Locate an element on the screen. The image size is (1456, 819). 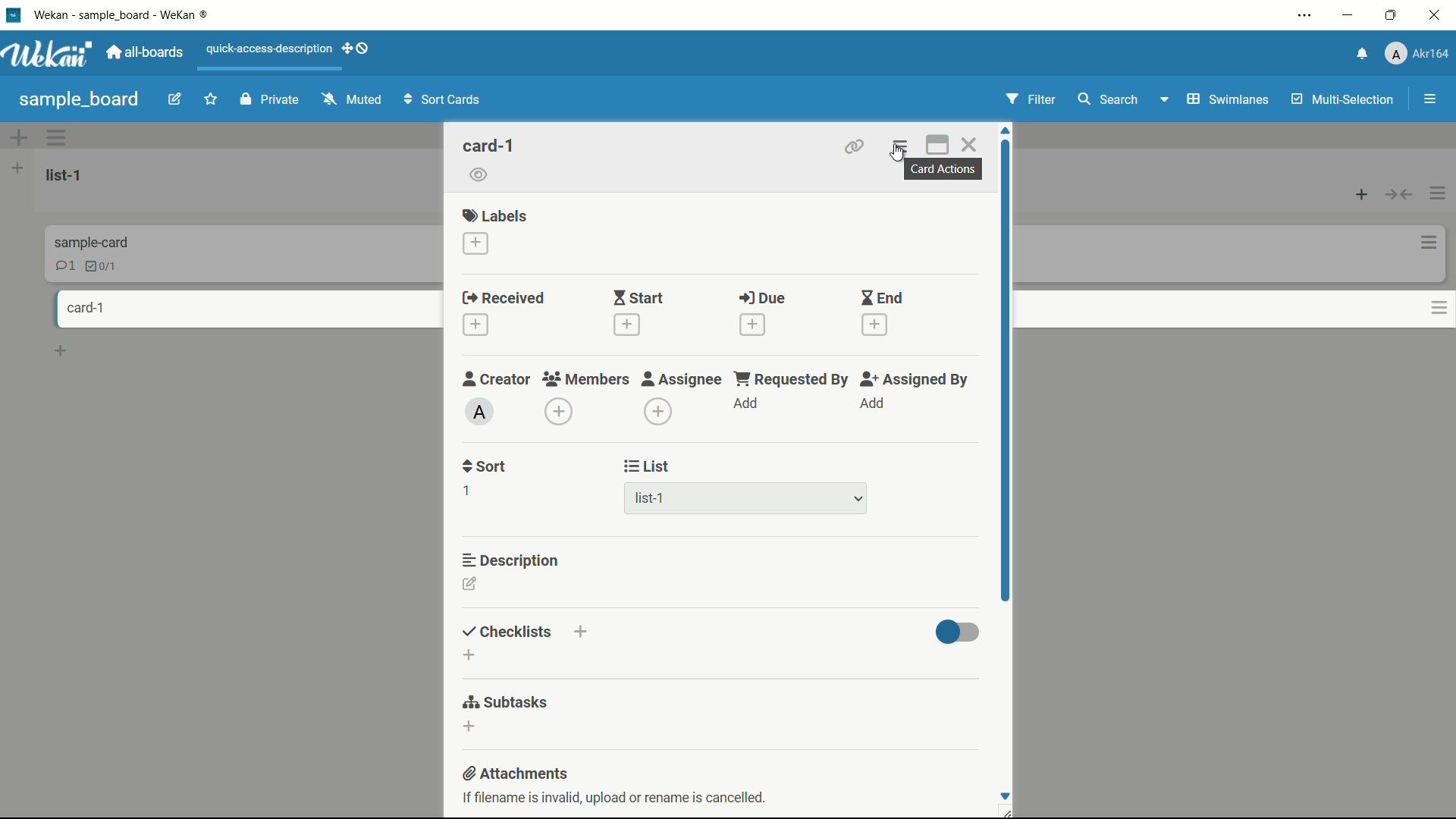
attachments is located at coordinates (516, 773).